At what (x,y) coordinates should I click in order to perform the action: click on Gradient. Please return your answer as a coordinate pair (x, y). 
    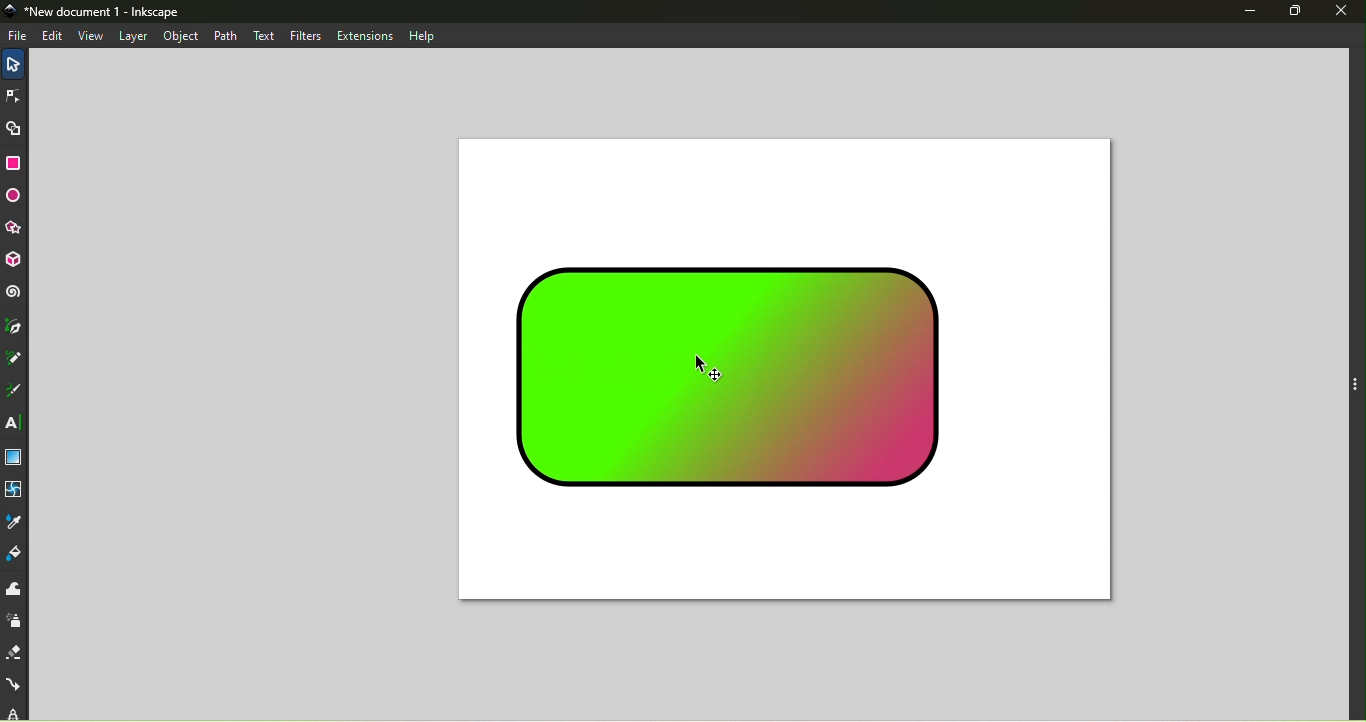
    Looking at the image, I should click on (13, 458).